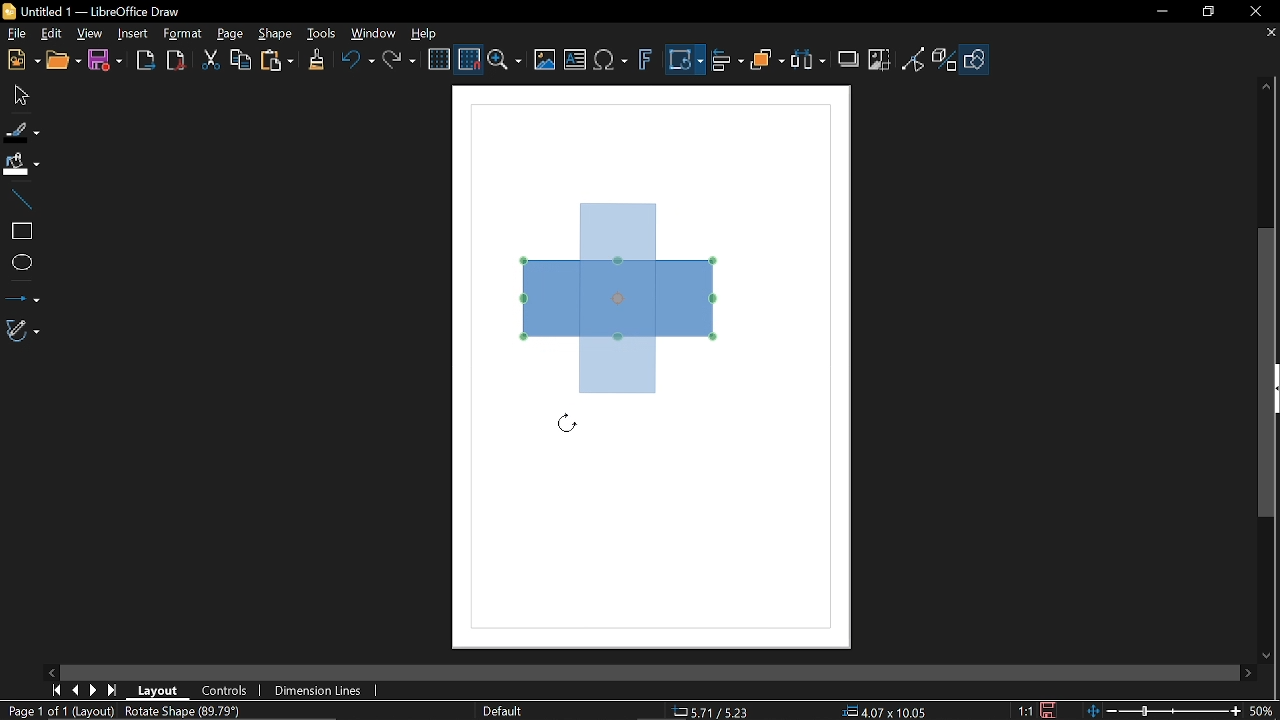  I want to click on Move down, so click(1270, 656).